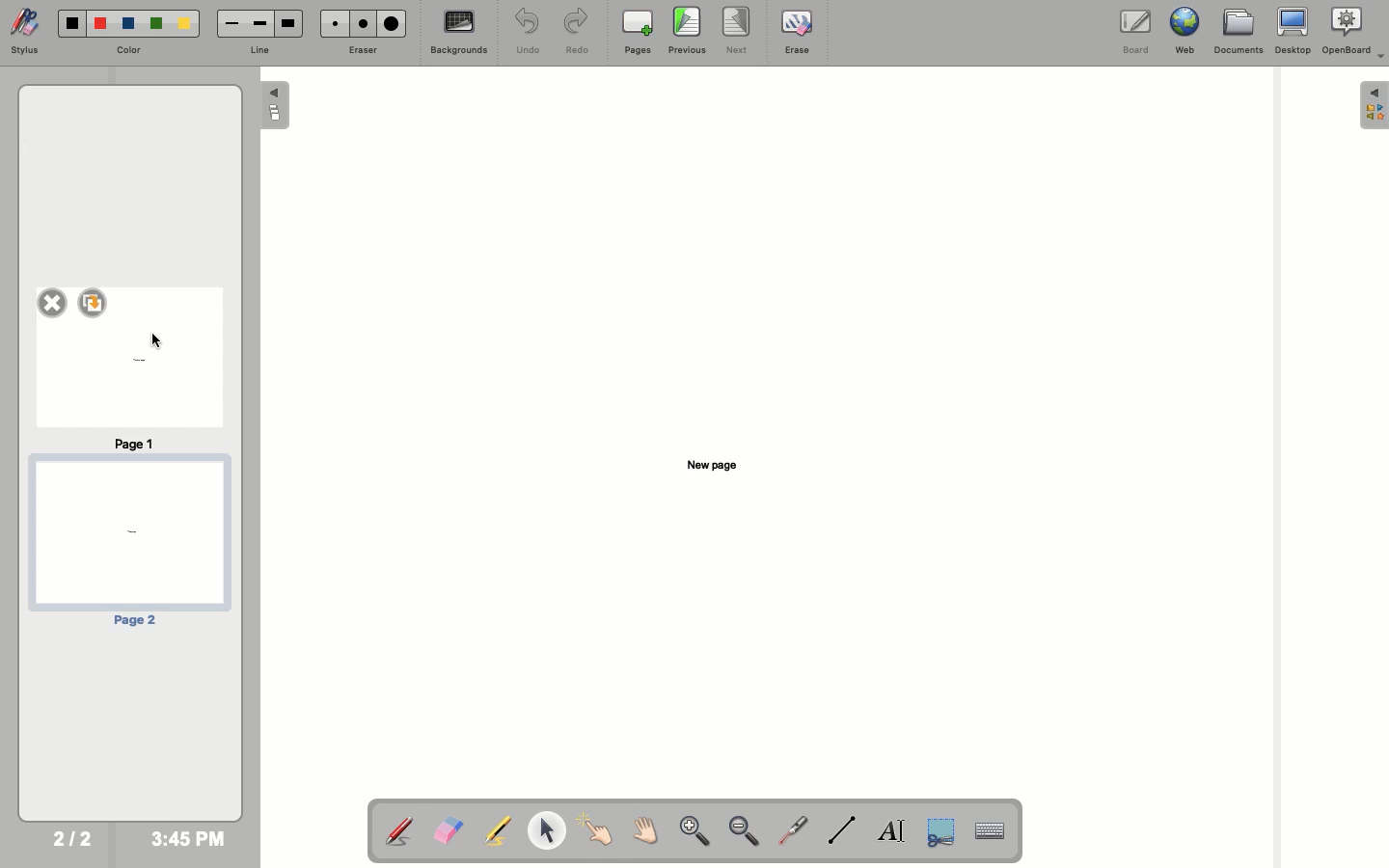 Image resolution: width=1389 pixels, height=868 pixels. What do you see at coordinates (790, 830) in the screenshot?
I see `Virtual laser pointer` at bounding box center [790, 830].